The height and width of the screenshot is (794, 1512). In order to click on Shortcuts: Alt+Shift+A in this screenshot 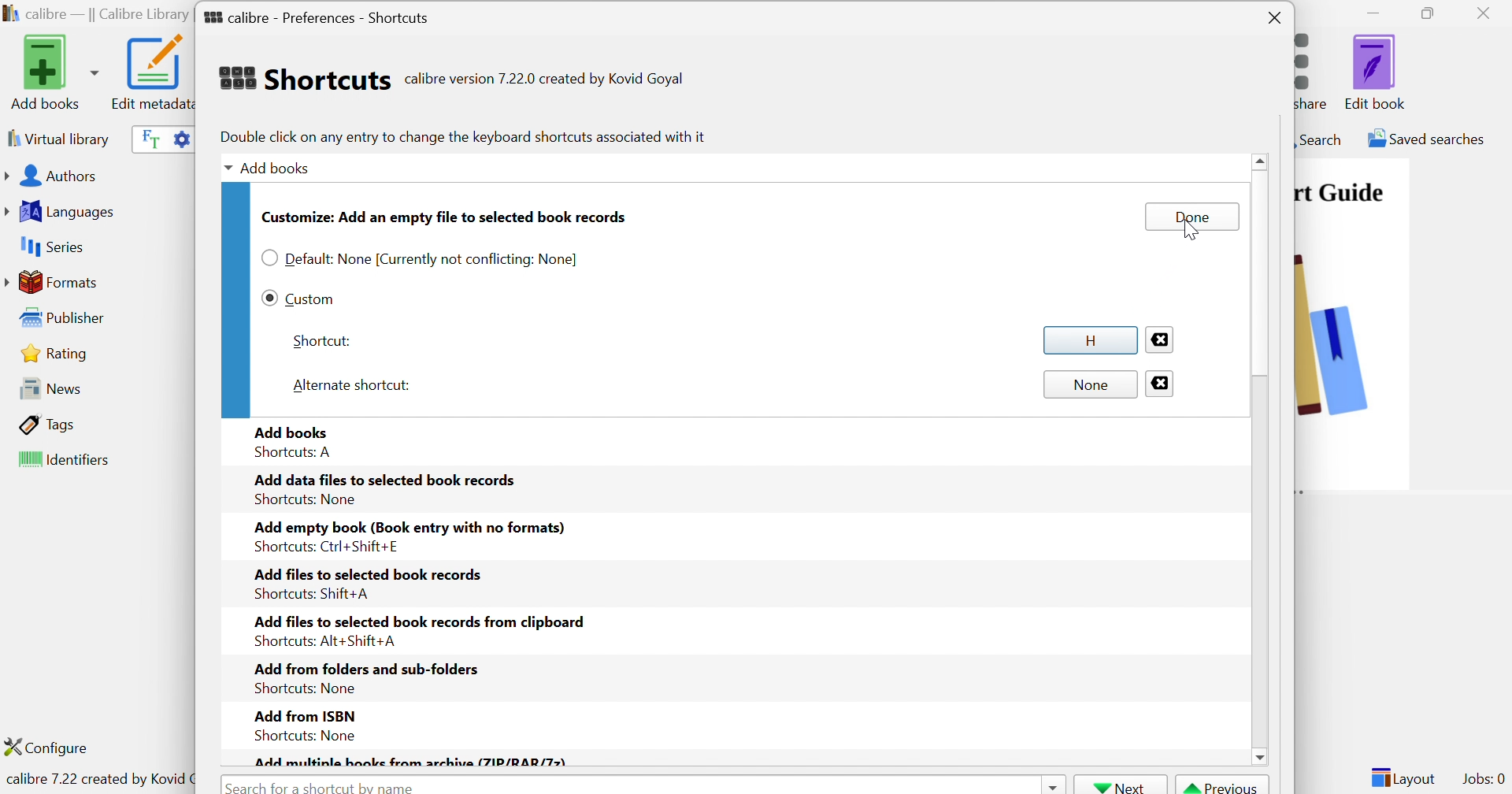, I will do `click(324, 640)`.